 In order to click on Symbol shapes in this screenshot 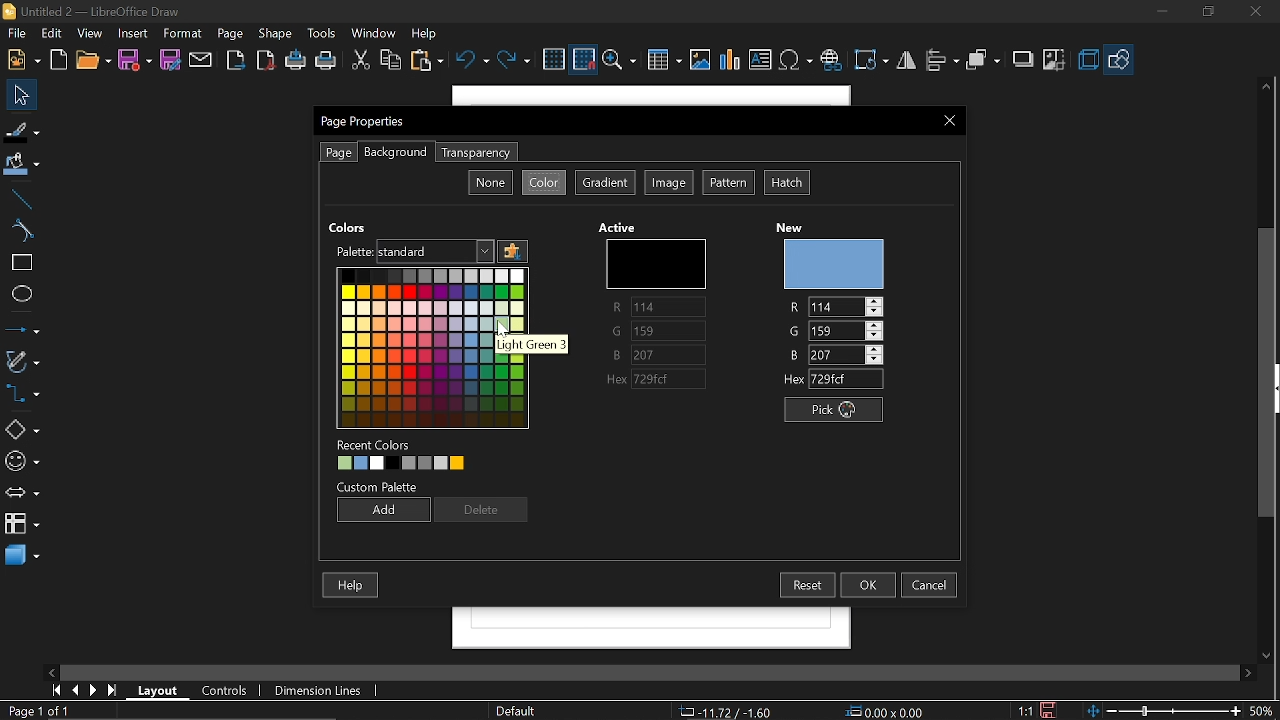, I will do `click(22, 462)`.